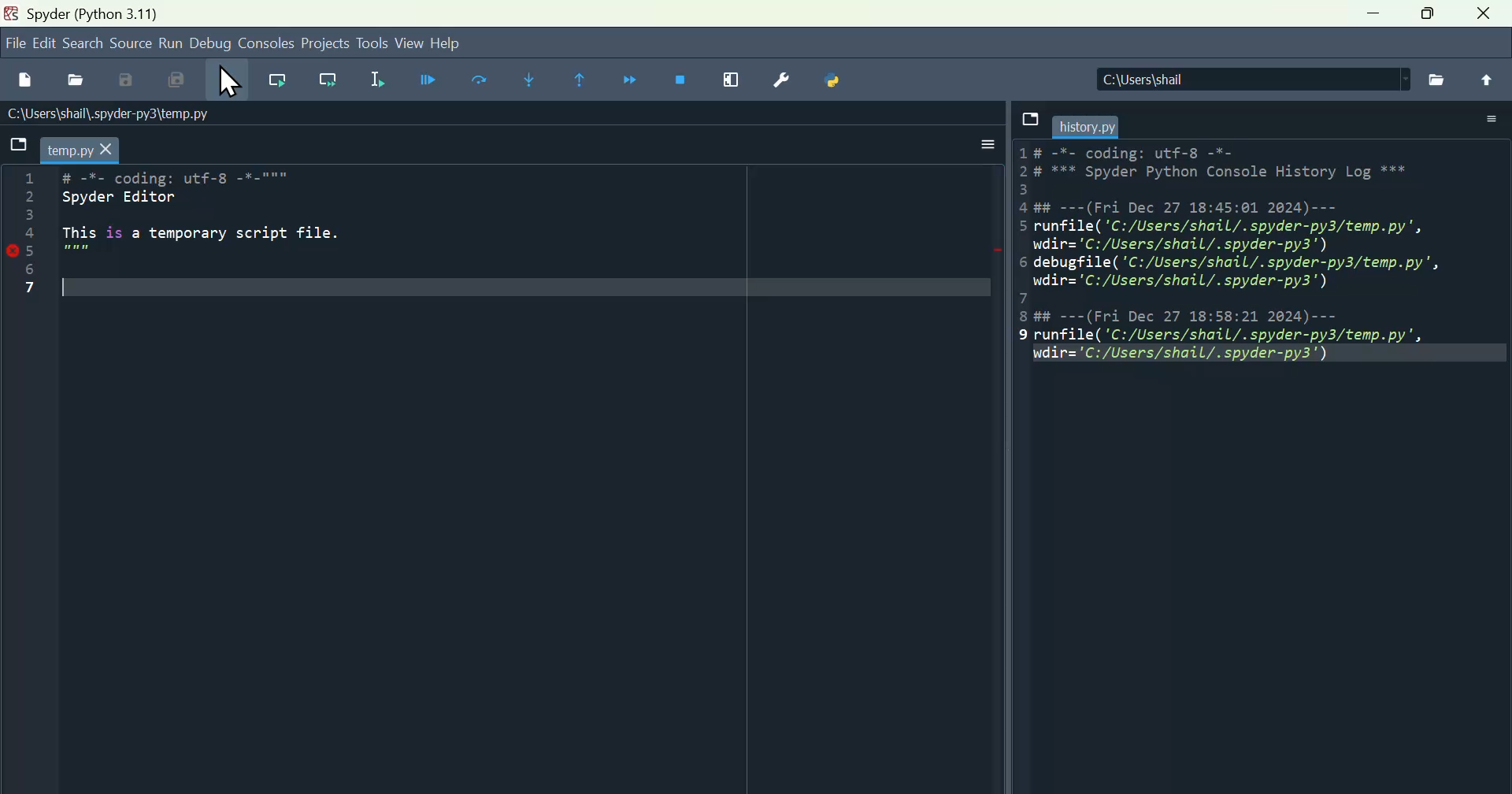 The image size is (1512, 794). I want to click on File, so click(28, 83).